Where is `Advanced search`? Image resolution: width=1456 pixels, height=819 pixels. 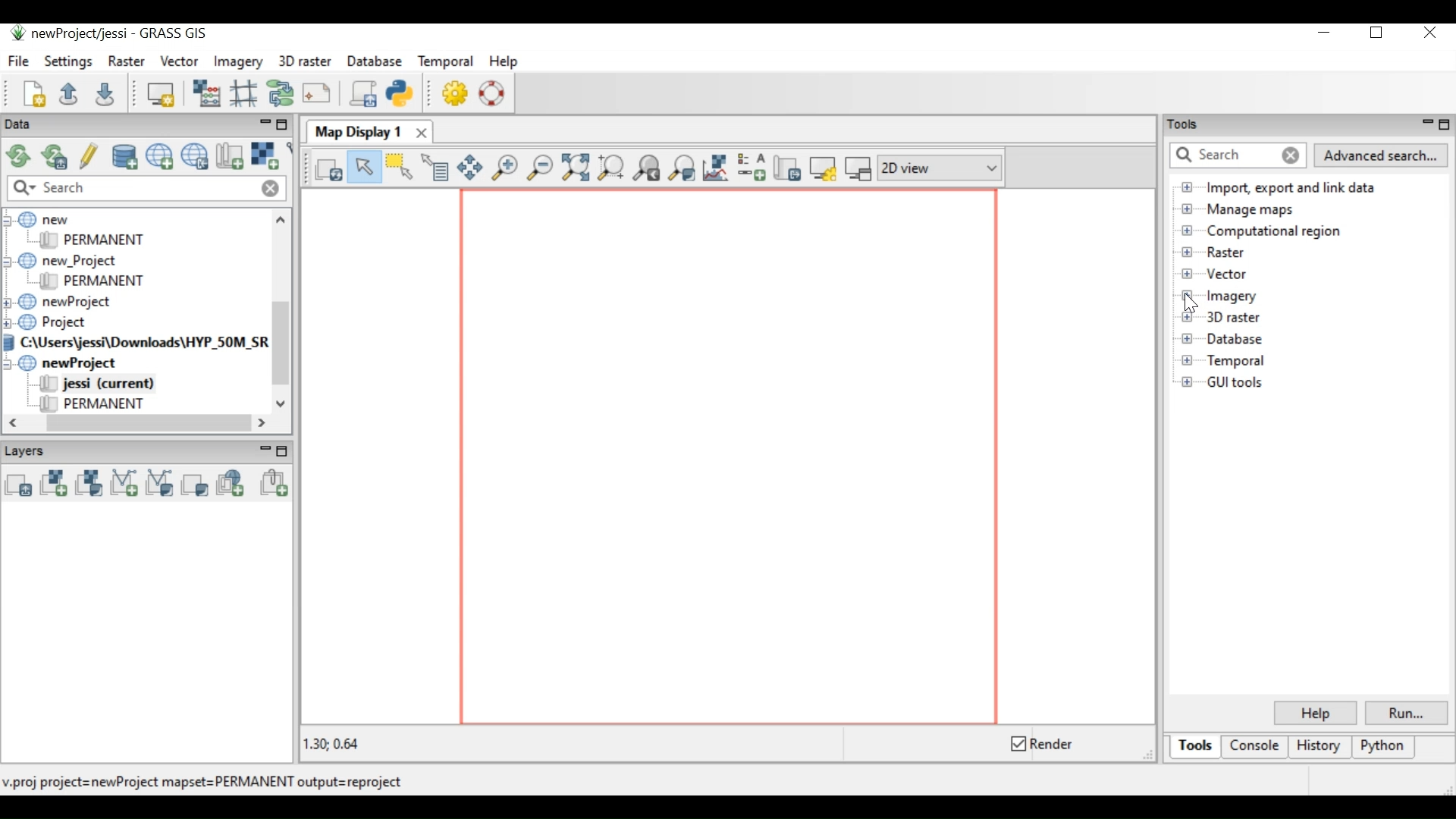
Advanced search is located at coordinates (1380, 155).